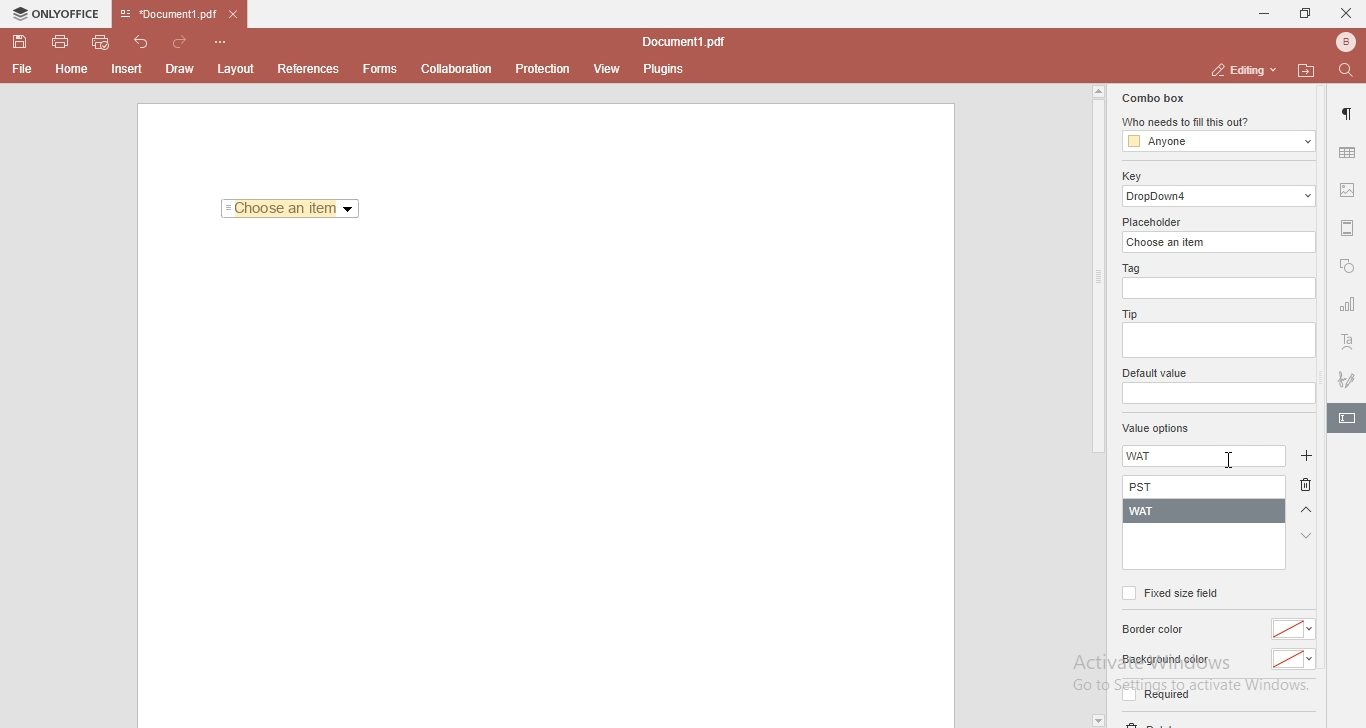  I want to click on References, so click(306, 69).